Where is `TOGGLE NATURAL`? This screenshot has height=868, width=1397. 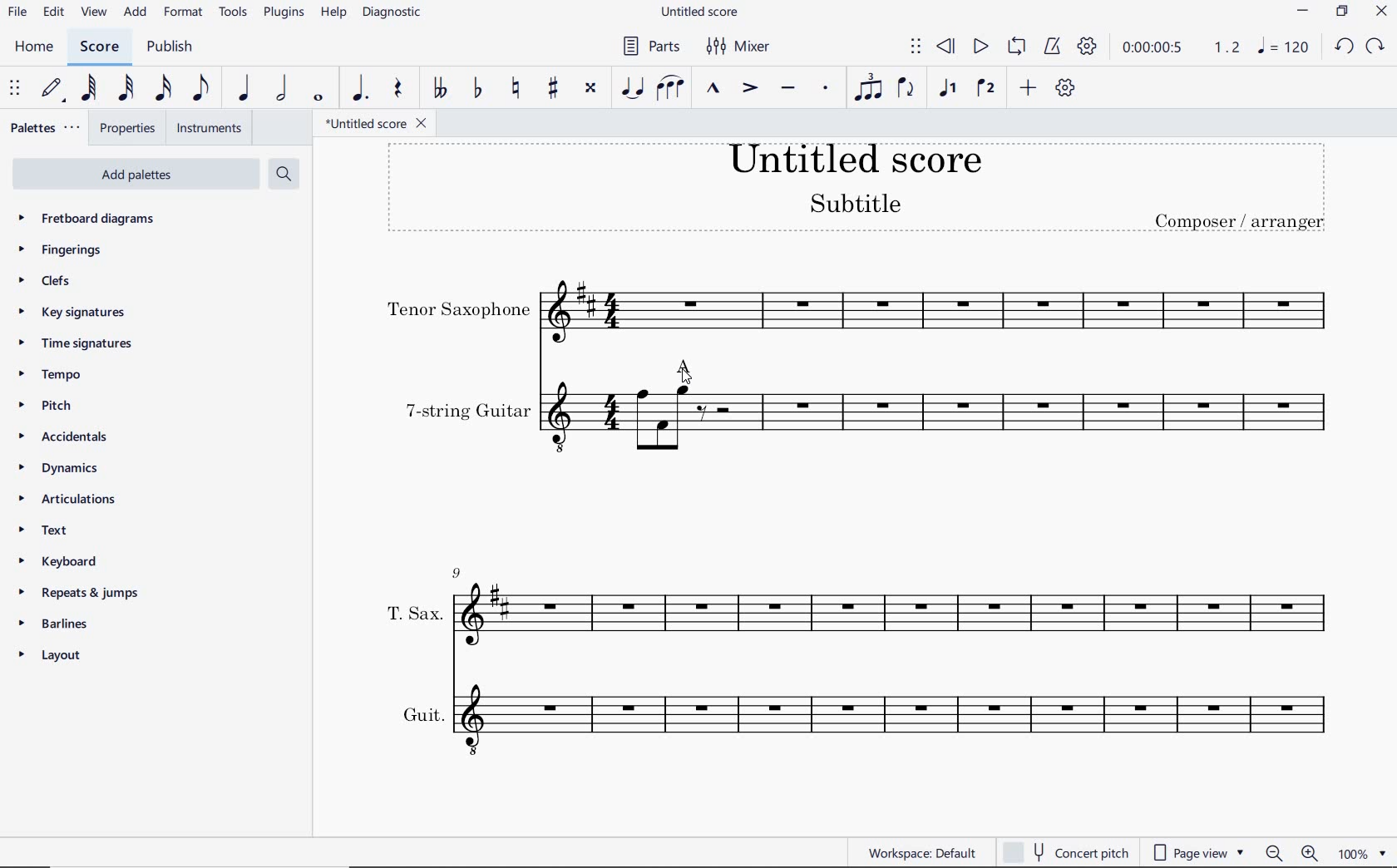
TOGGLE NATURAL is located at coordinates (516, 89).